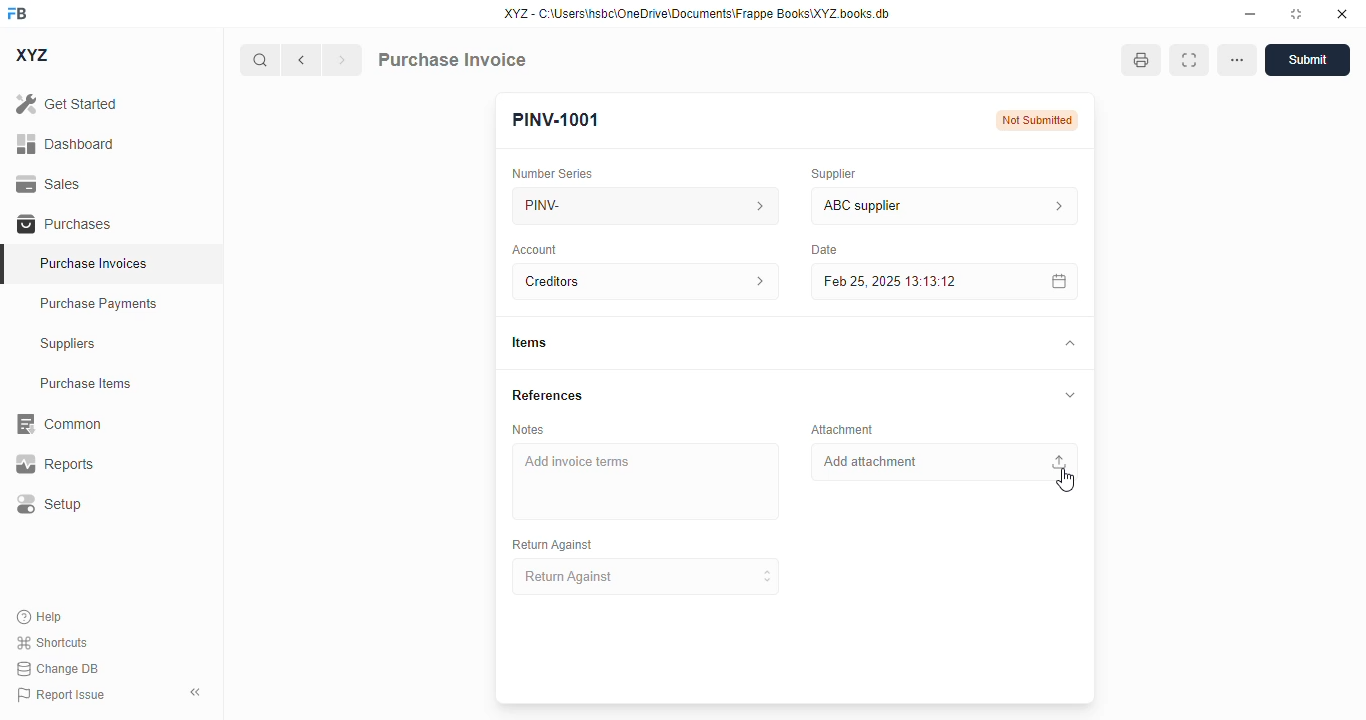 The width and height of the screenshot is (1366, 720). Describe the element at coordinates (53, 642) in the screenshot. I see `shortcuts` at that location.